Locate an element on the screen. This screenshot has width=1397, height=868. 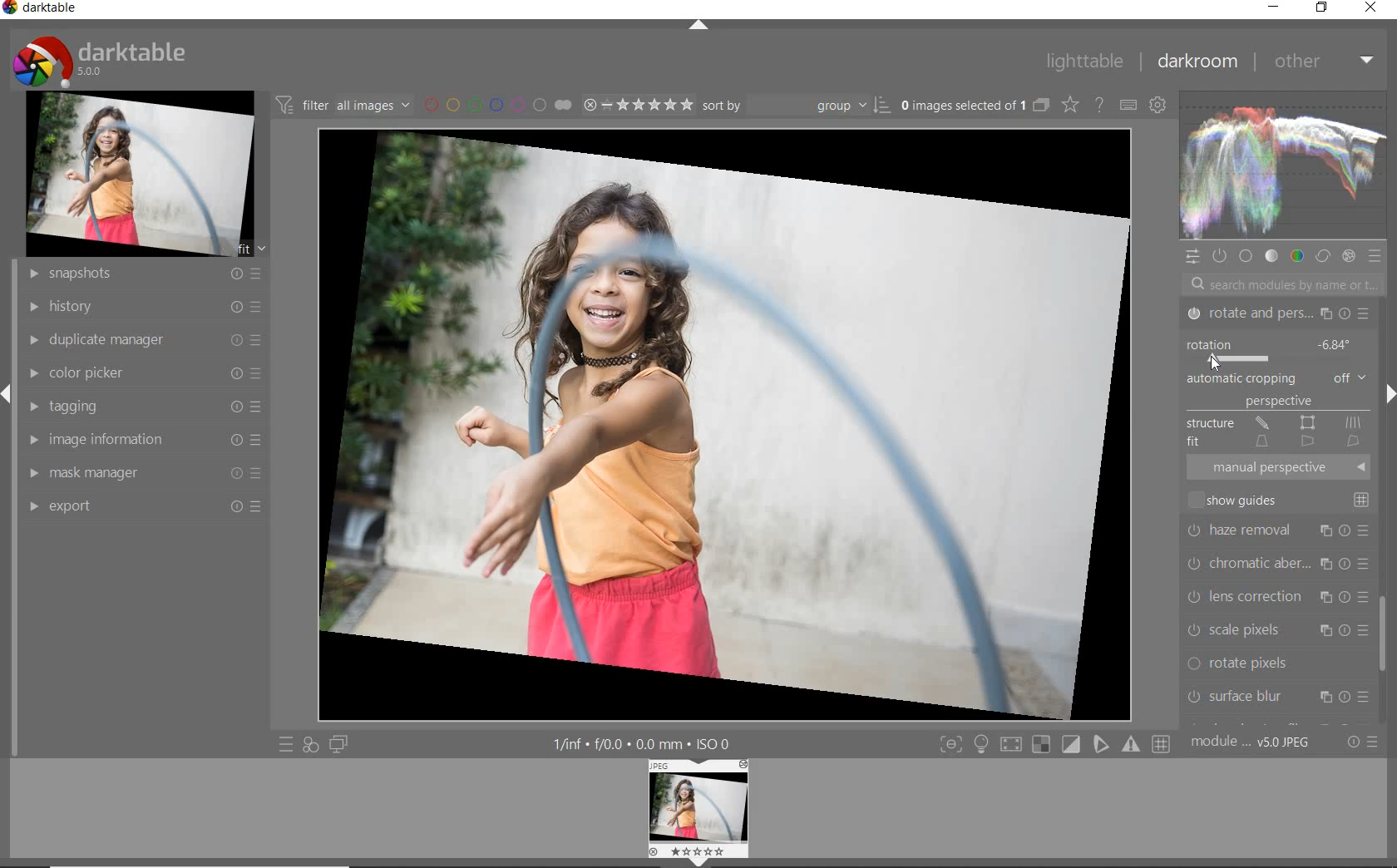
enable for online help is located at coordinates (1099, 105).